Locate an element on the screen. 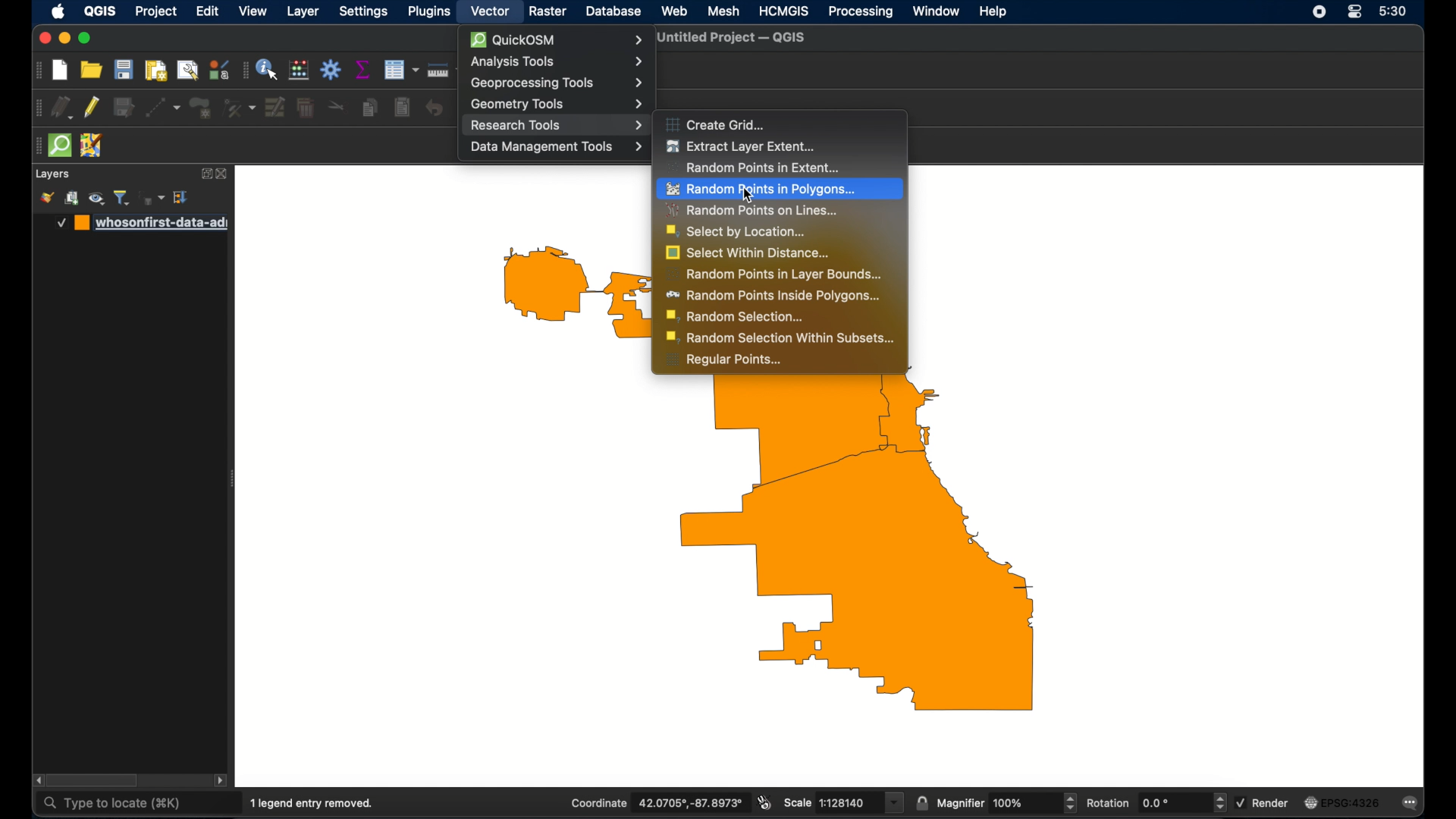 Image resolution: width=1456 pixels, height=819 pixels. maximize is located at coordinates (86, 38).